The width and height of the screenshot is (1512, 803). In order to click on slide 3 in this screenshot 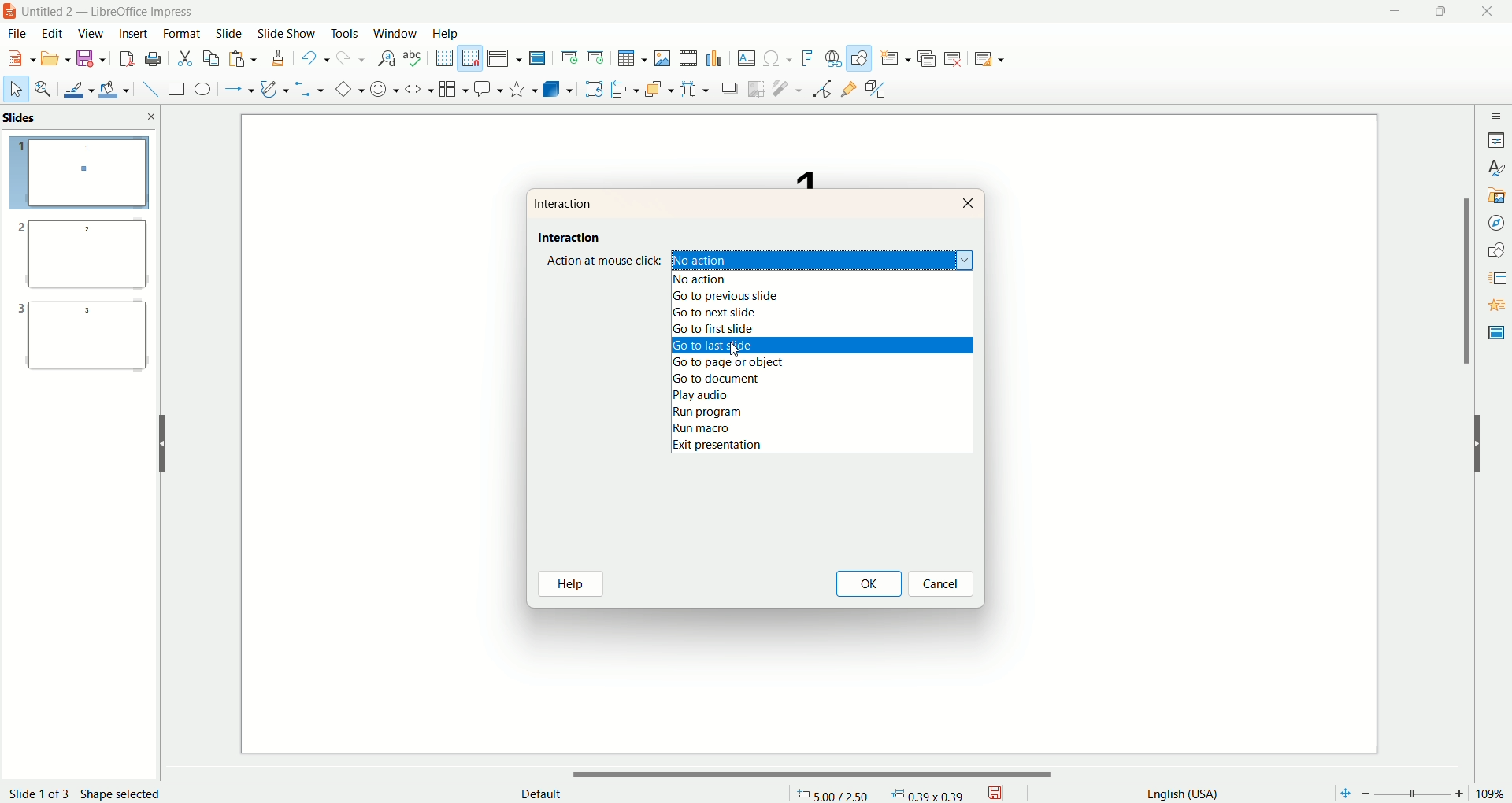, I will do `click(83, 342)`.